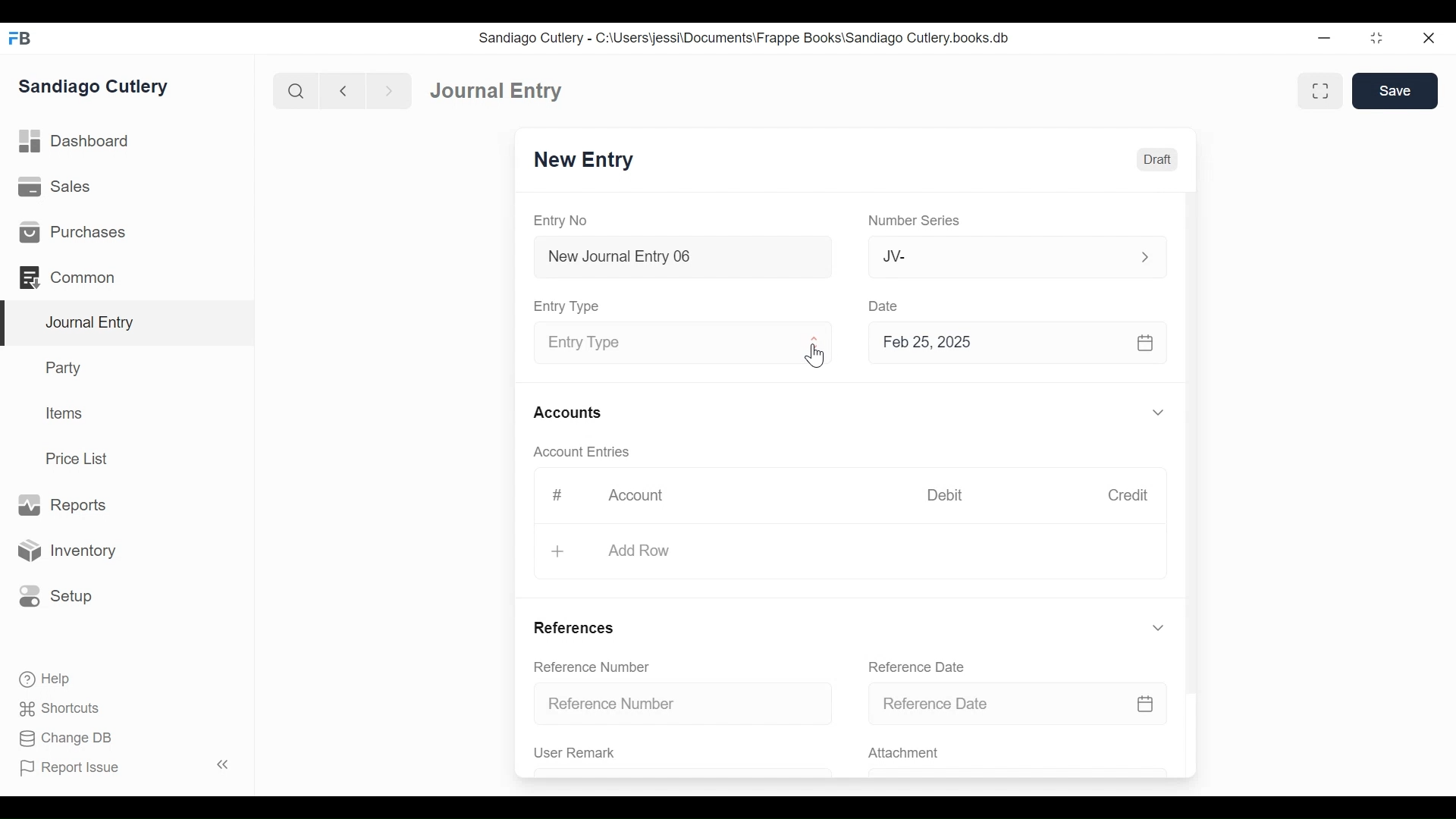  I want to click on Shortcuts, so click(64, 708).